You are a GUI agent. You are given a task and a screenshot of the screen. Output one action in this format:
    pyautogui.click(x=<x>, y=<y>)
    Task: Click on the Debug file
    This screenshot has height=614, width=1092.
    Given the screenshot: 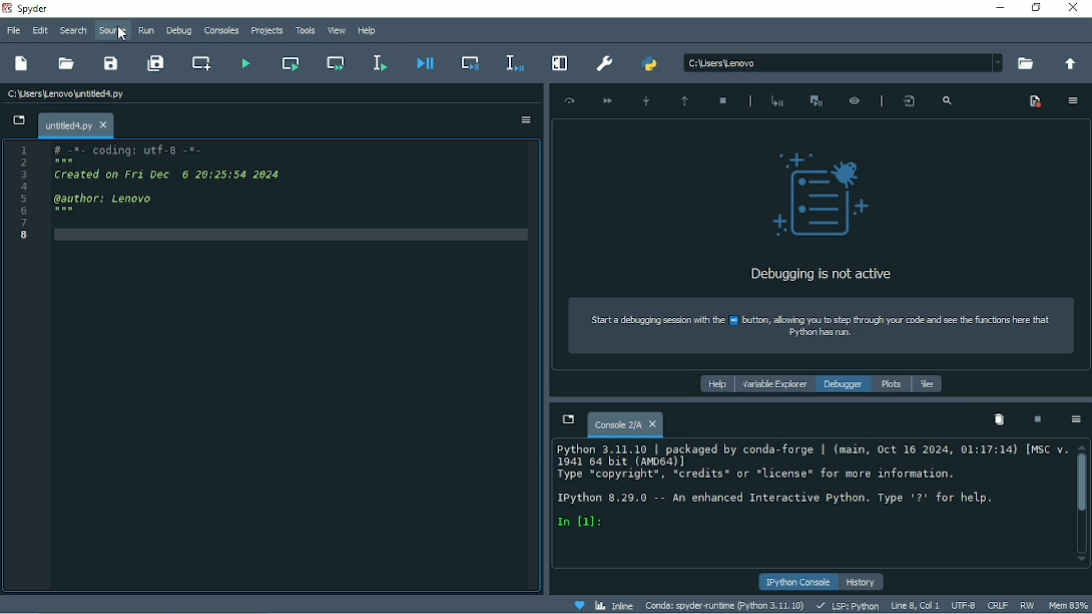 What is the action you would take?
    pyautogui.click(x=426, y=62)
    